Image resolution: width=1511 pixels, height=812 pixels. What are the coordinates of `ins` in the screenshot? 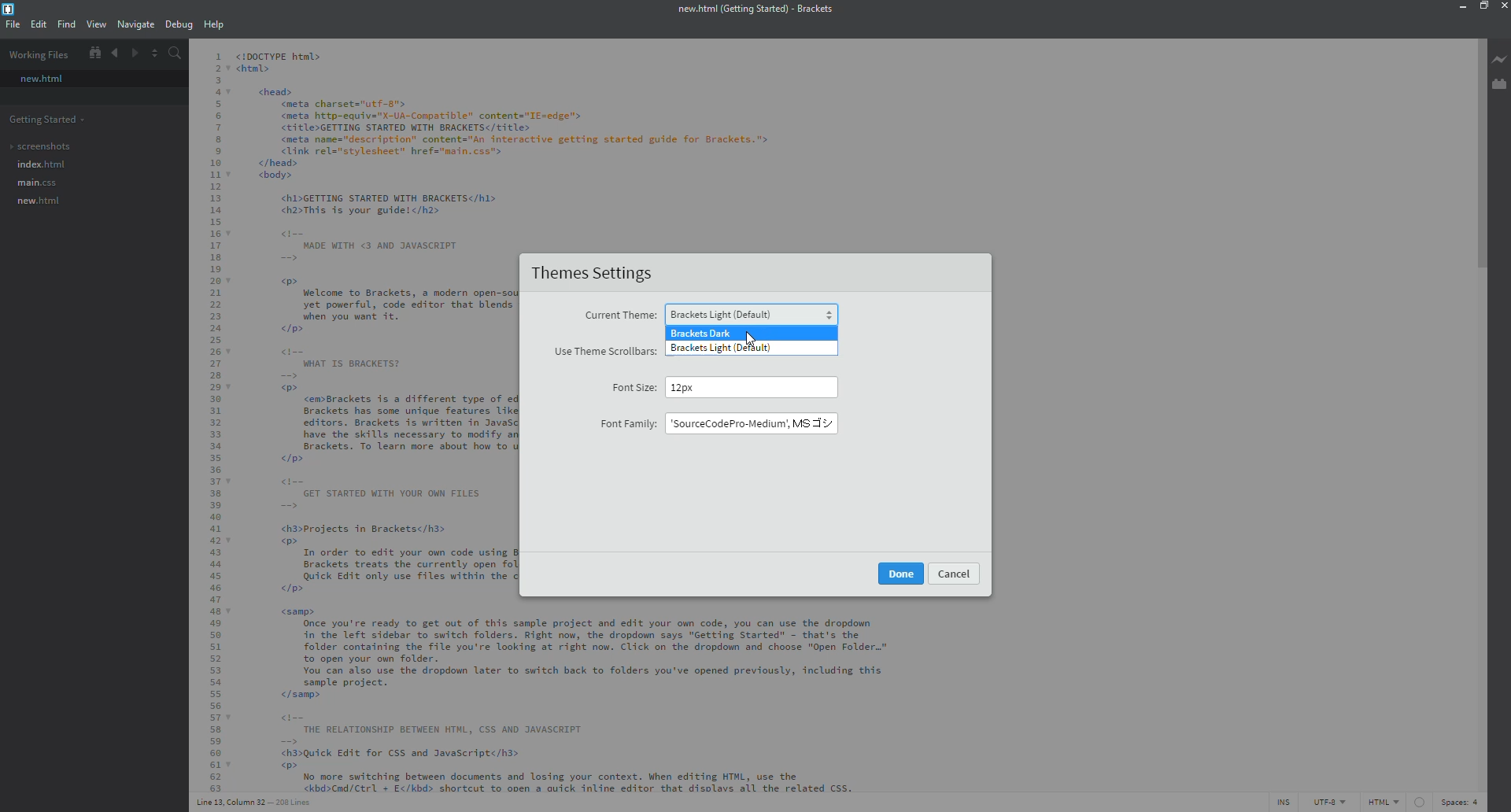 It's located at (1285, 802).